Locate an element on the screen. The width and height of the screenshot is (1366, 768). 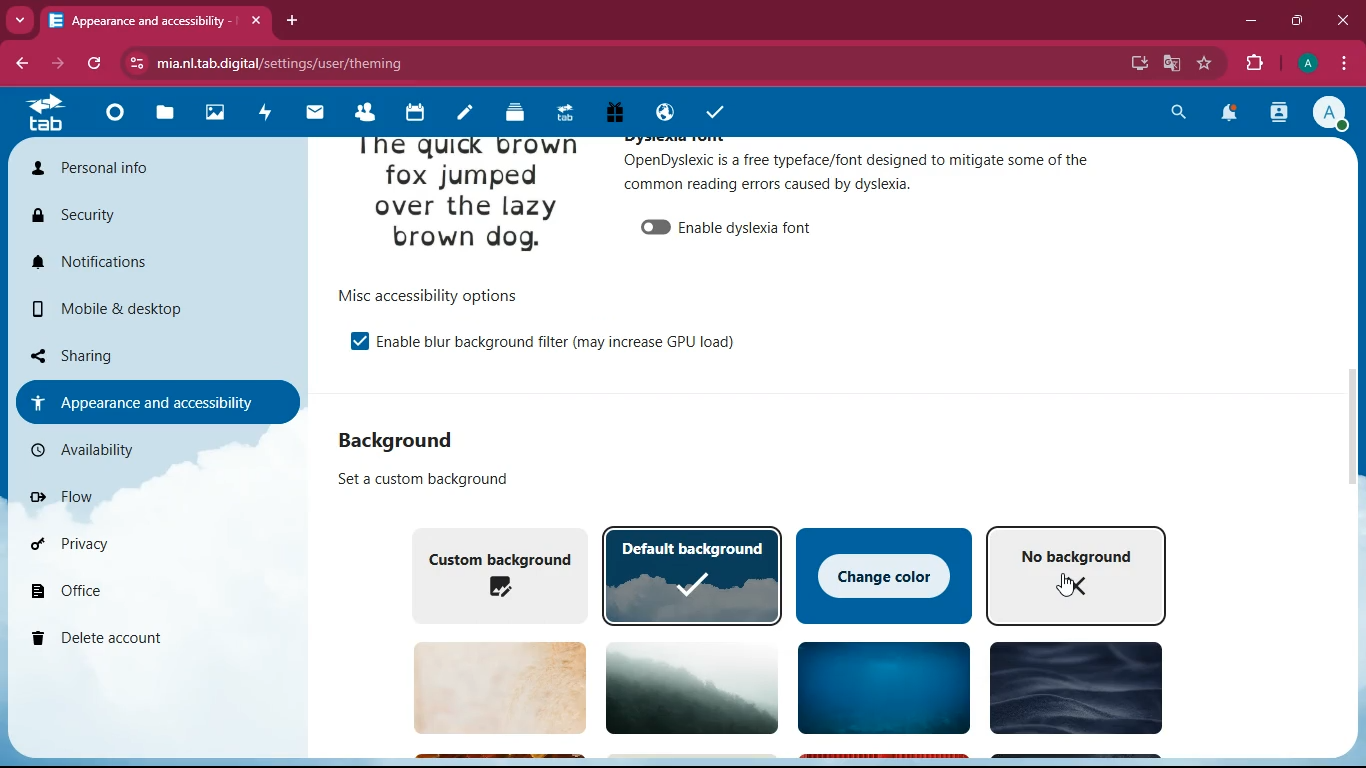
enable is located at coordinates (350, 340).